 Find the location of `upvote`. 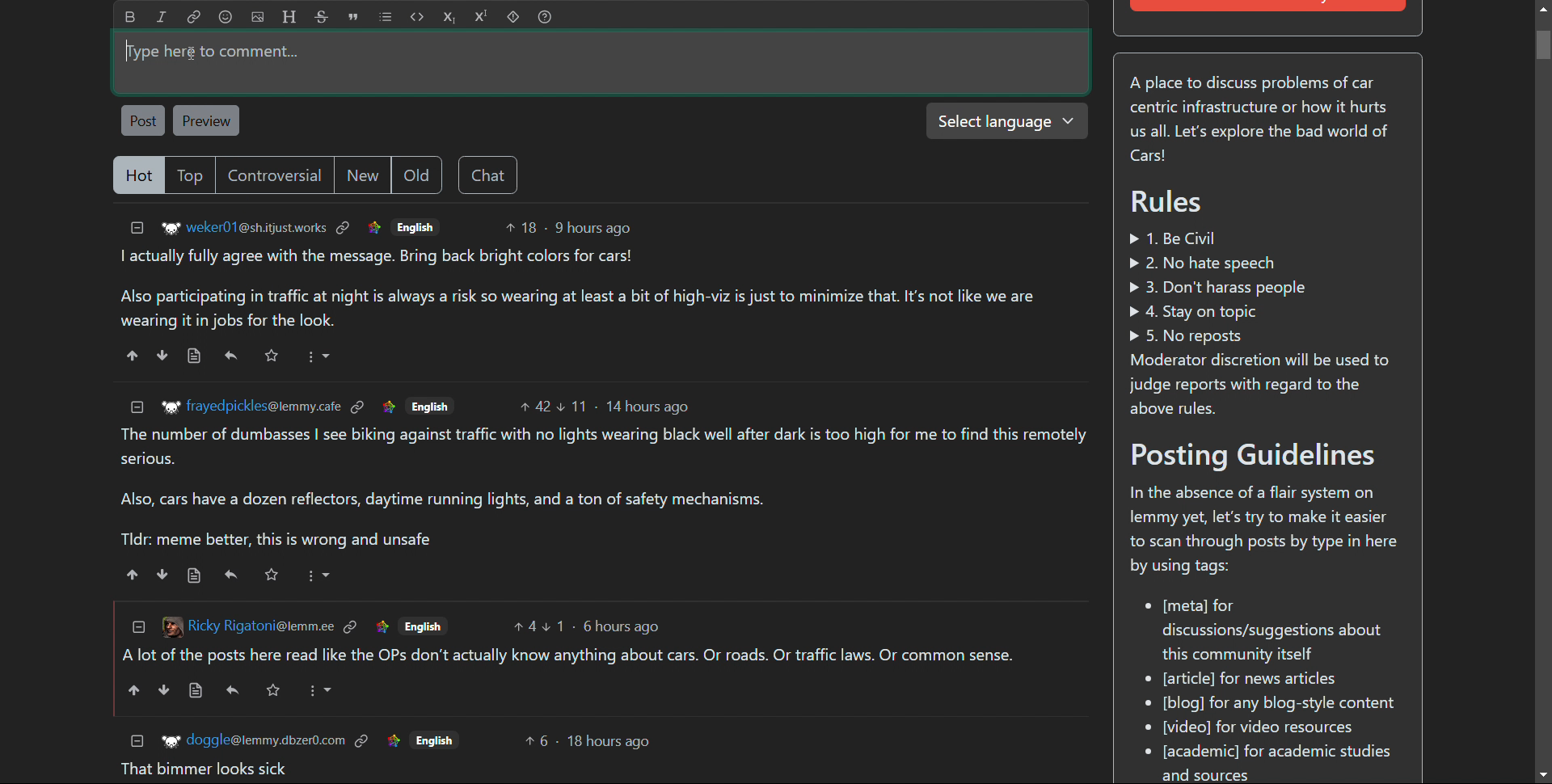

upvote is located at coordinates (132, 690).